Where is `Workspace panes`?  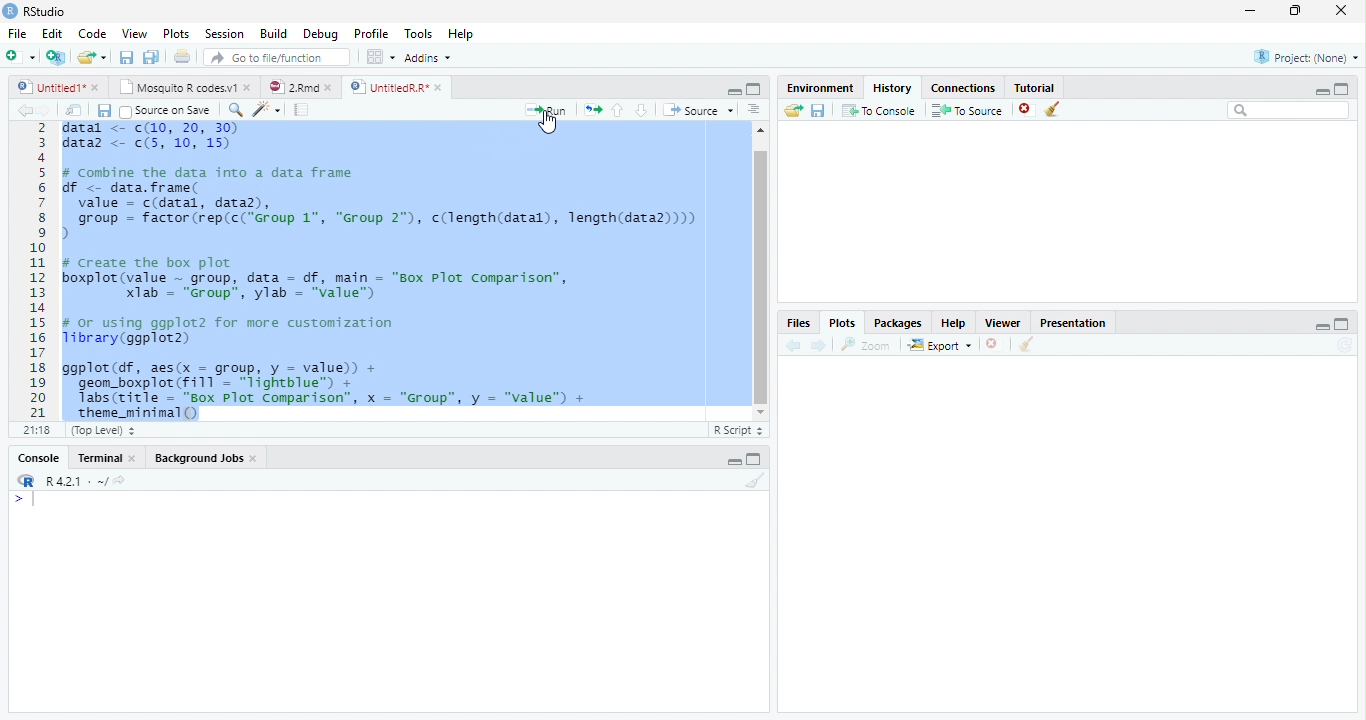 Workspace panes is located at coordinates (378, 56).